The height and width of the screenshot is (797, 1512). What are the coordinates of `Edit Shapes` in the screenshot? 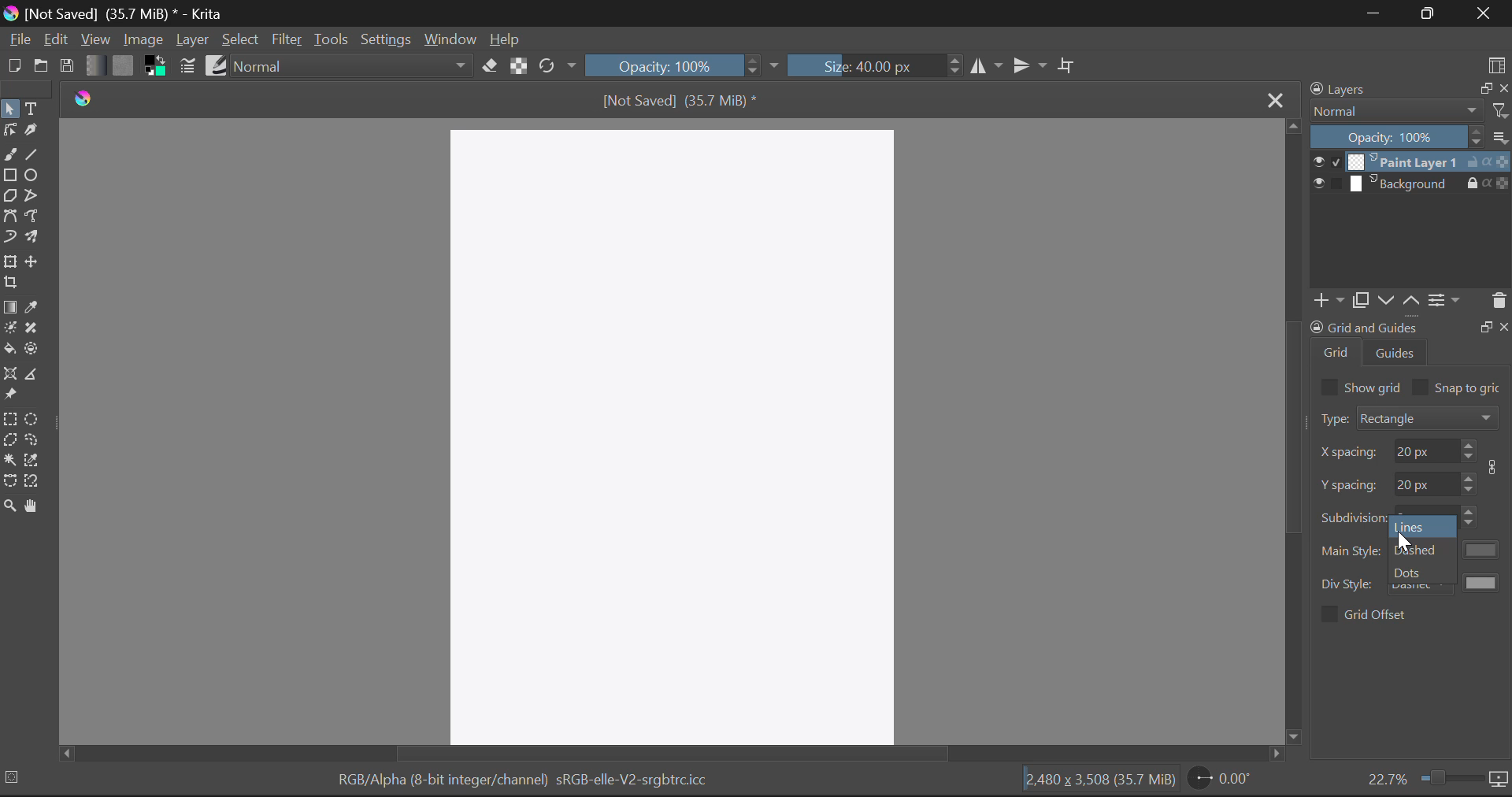 It's located at (9, 132).